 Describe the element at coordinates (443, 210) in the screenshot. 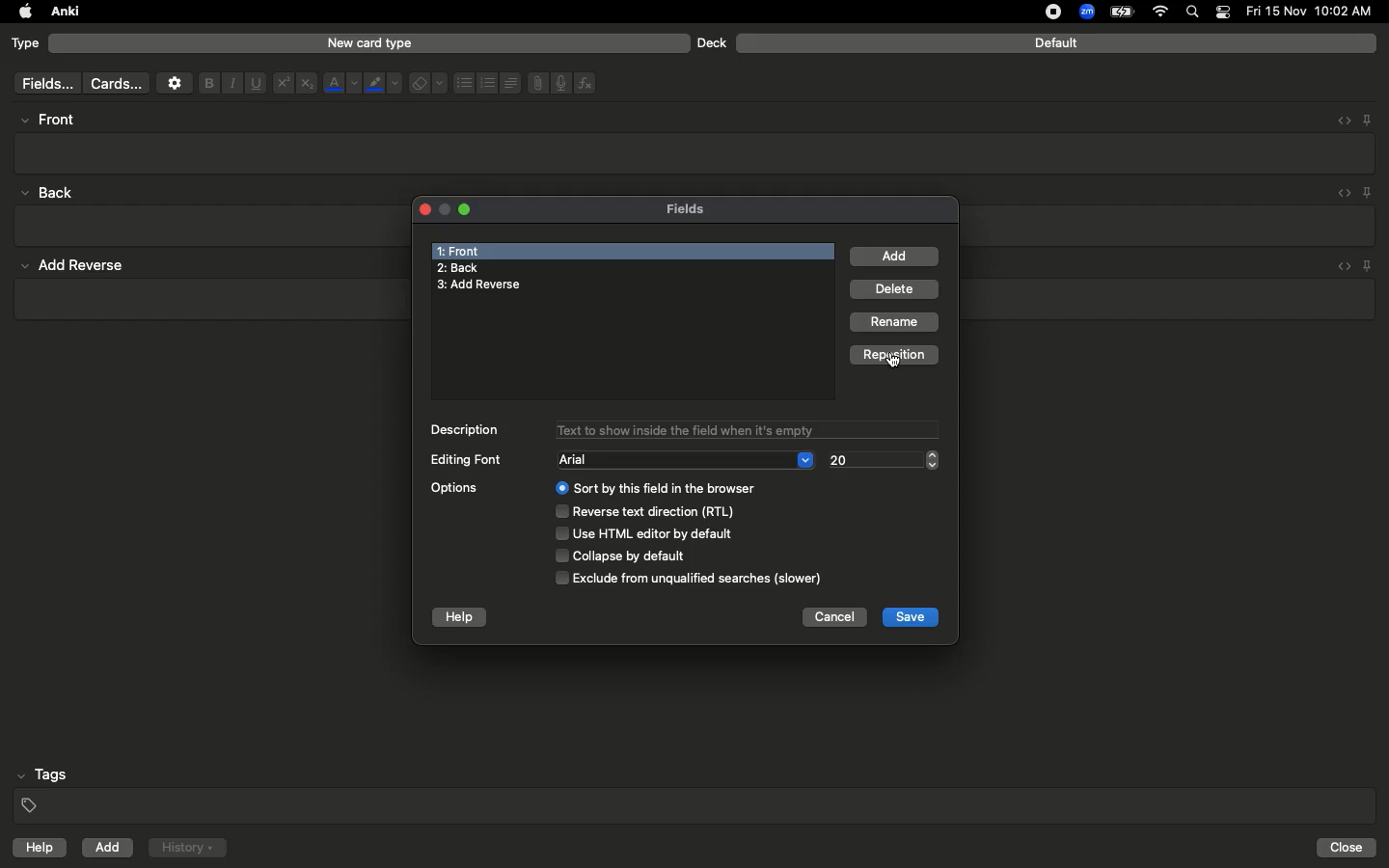

I see `minimize` at that location.